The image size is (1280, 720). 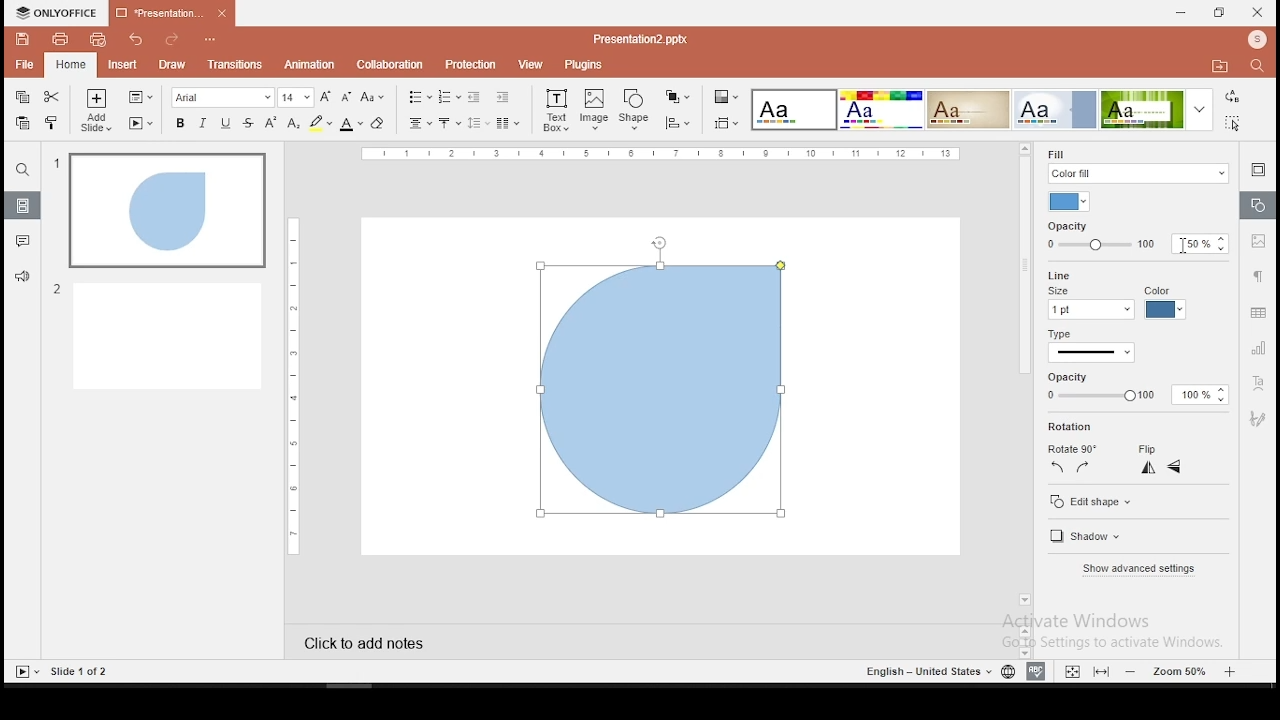 I want to click on font size, so click(x=297, y=98).